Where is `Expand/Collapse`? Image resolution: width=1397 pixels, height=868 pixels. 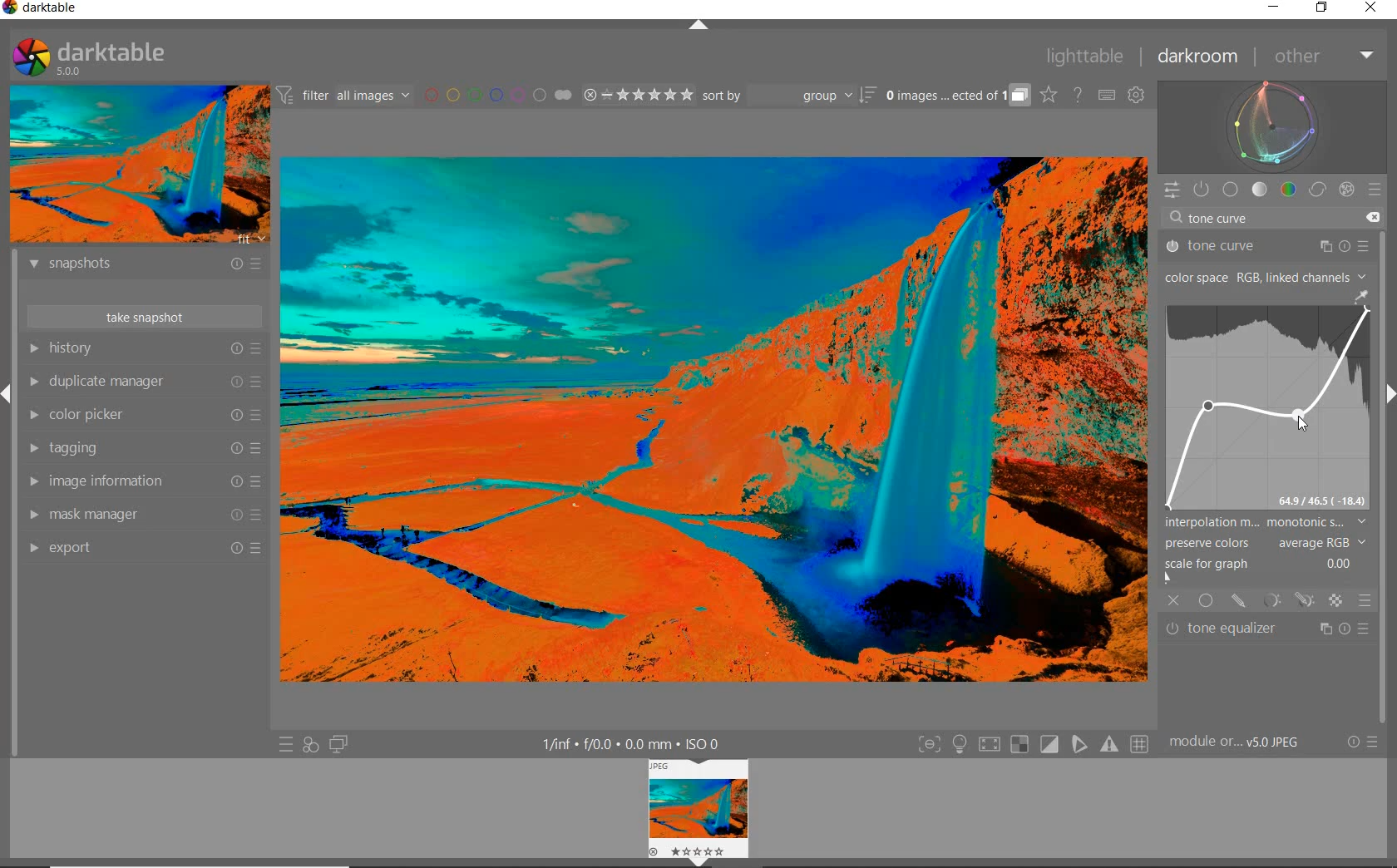
Expand/Collapse is located at coordinates (1389, 397).